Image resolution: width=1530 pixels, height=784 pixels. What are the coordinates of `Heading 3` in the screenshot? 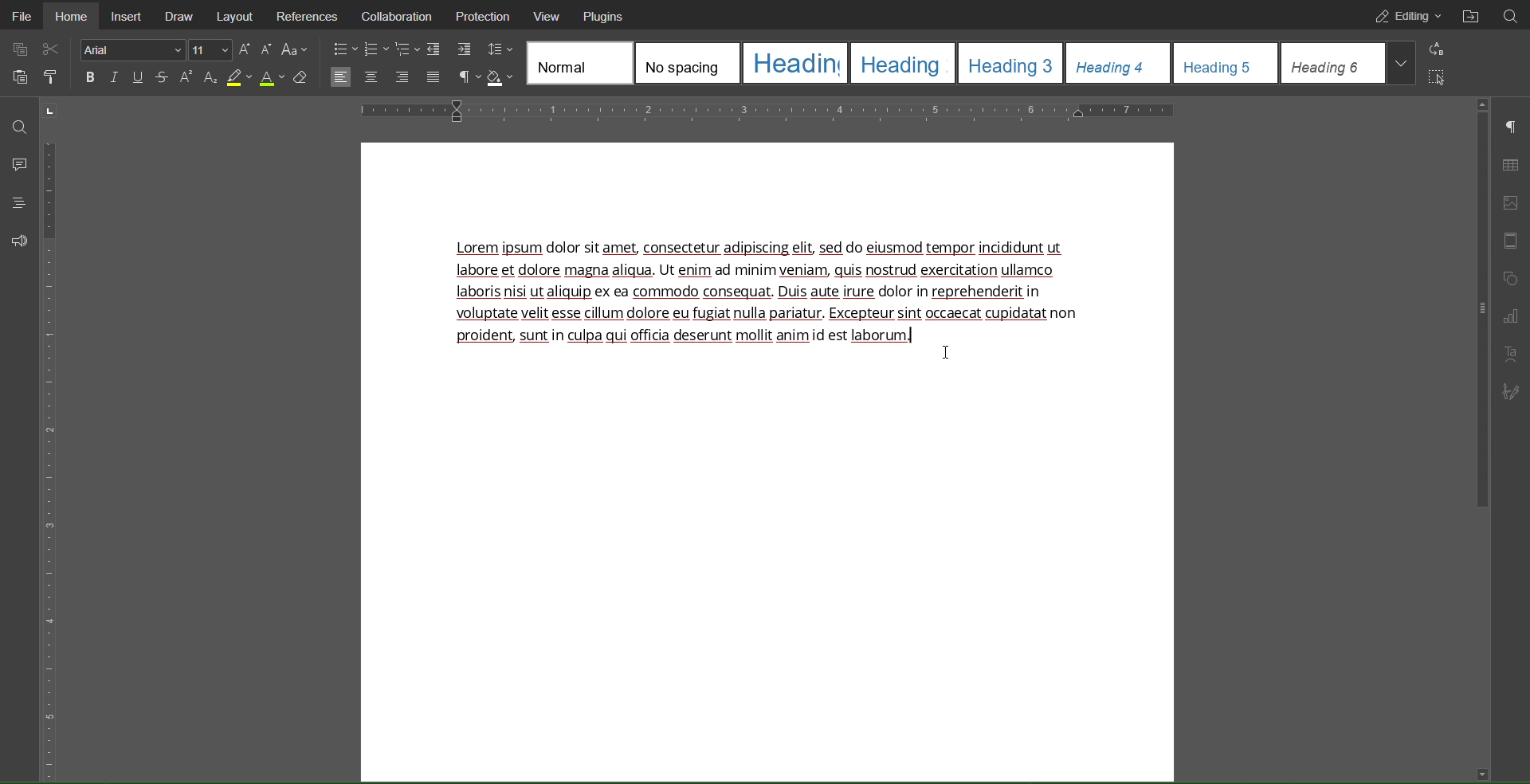 It's located at (1013, 63).